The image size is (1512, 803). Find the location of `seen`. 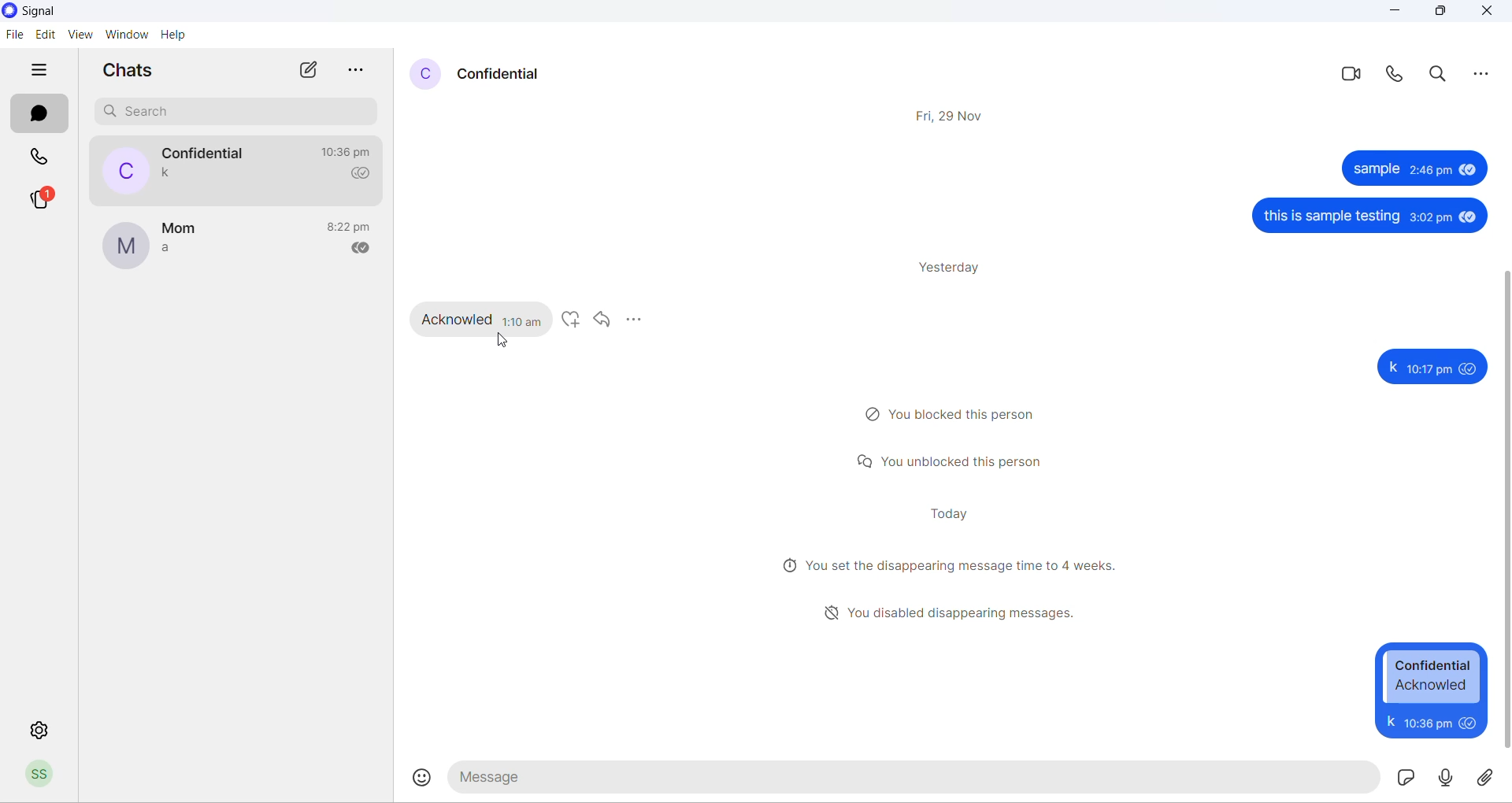

seen is located at coordinates (1469, 368).